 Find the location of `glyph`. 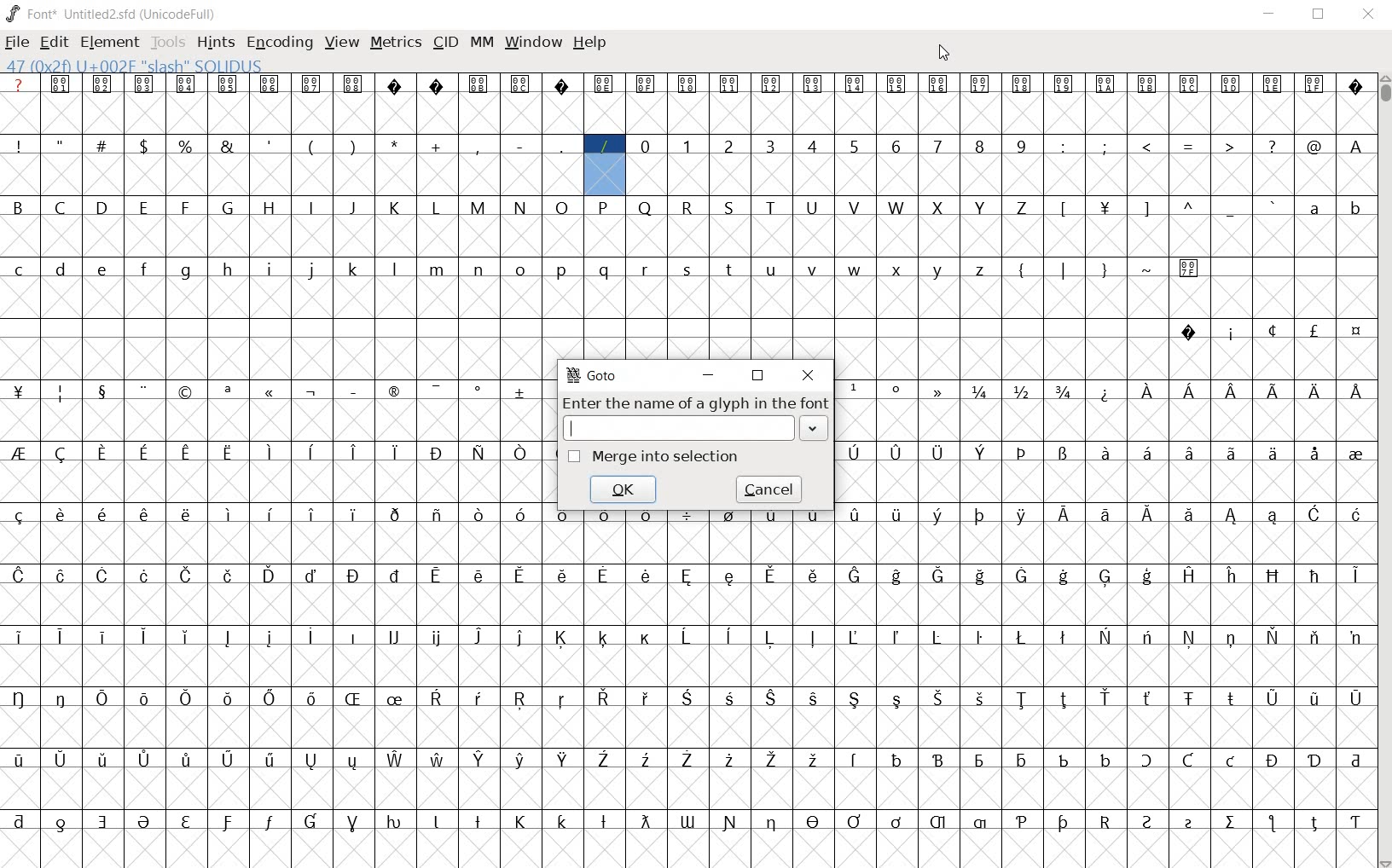

glyph is located at coordinates (1147, 698).